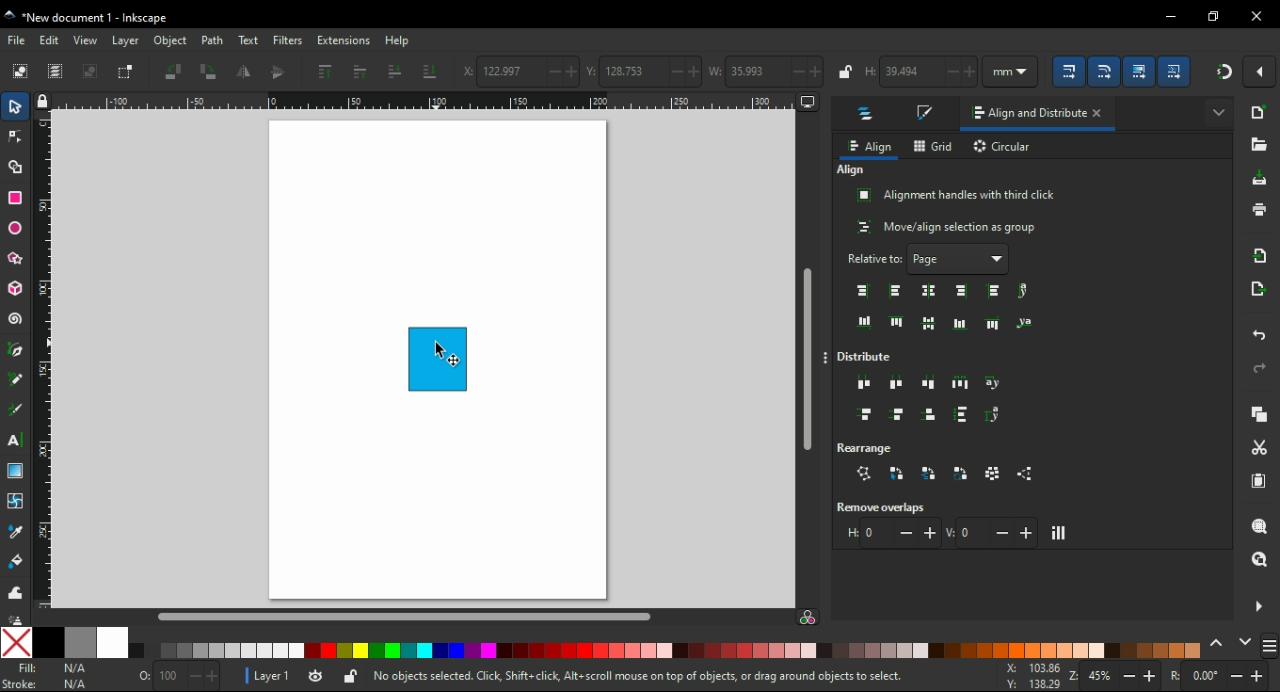 The image size is (1280, 692). Describe the element at coordinates (20, 350) in the screenshot. I see `pen tool` at that location.